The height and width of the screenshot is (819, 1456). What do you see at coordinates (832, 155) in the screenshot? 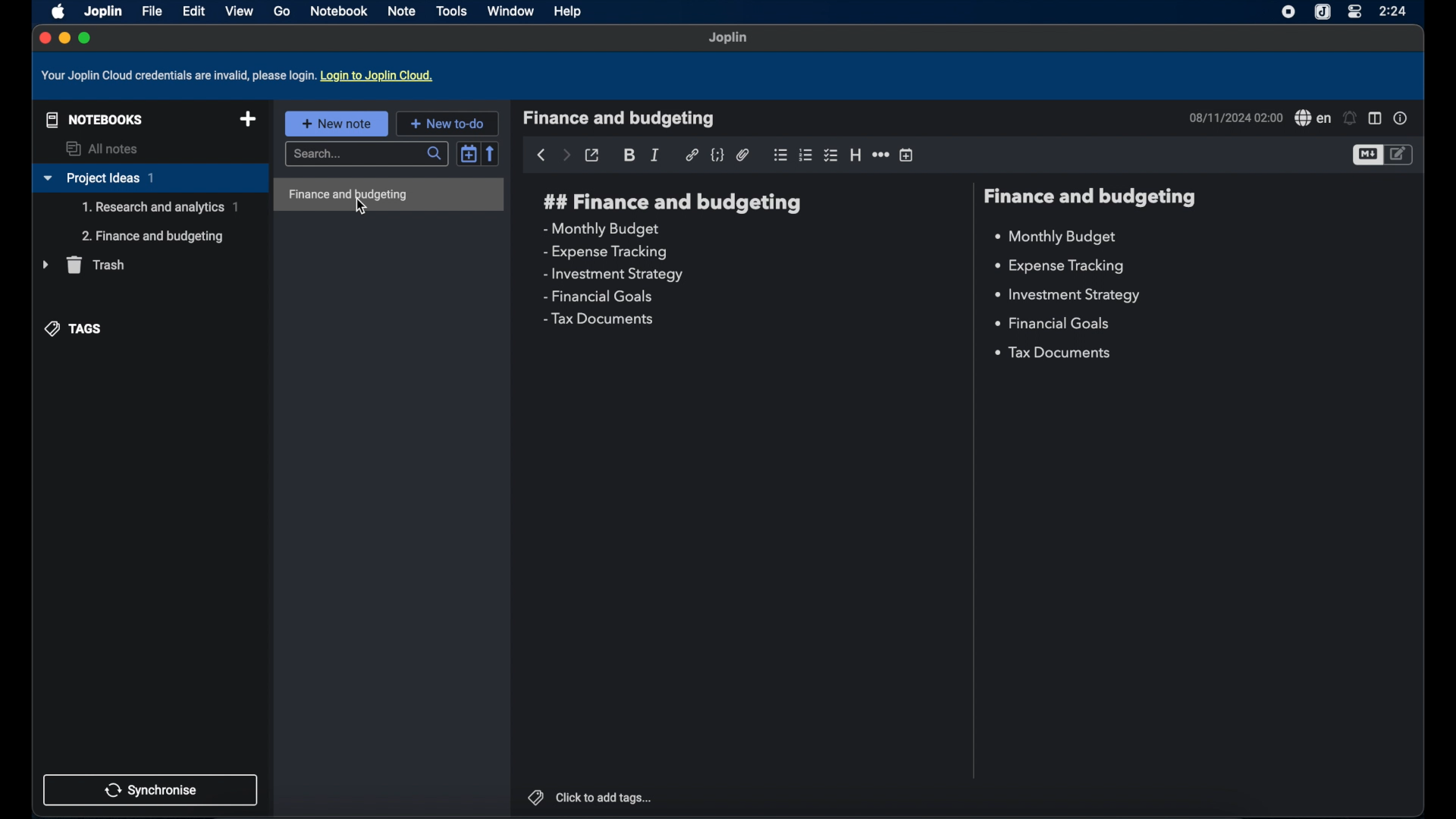
I see `checkbox` at bounding box center [832, 155].